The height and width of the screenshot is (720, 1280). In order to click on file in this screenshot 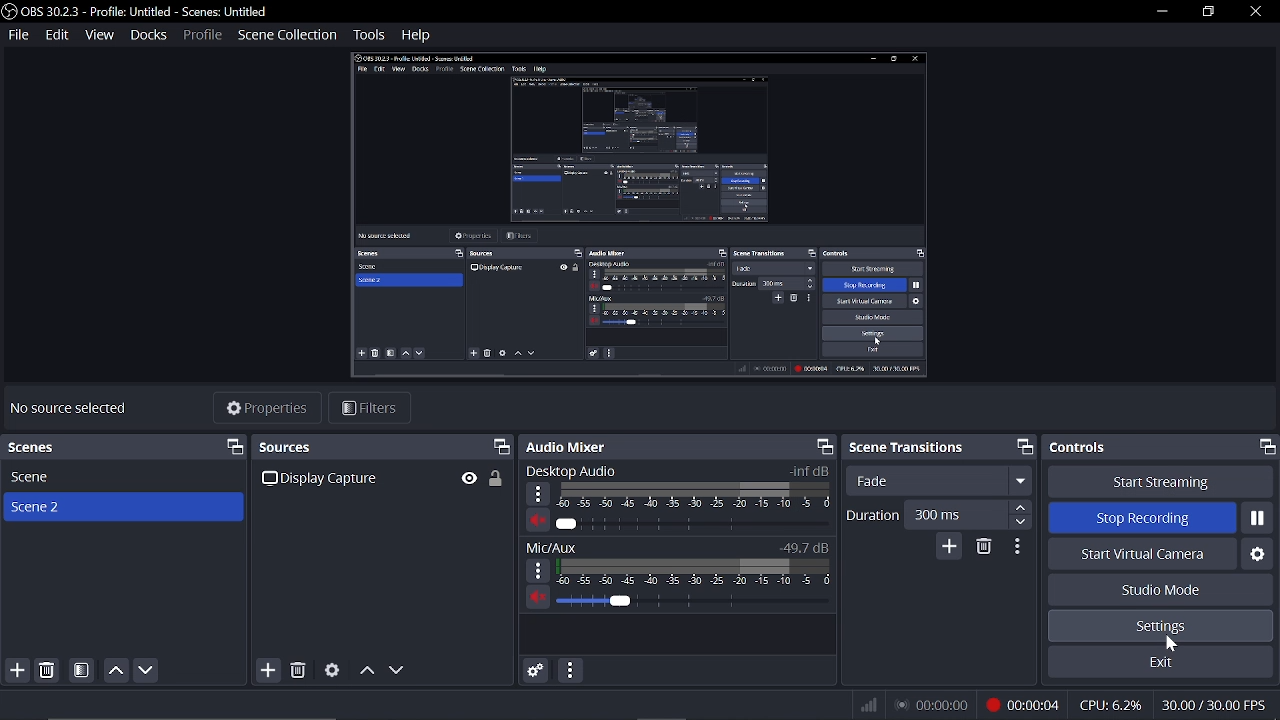, I will do `click(18, 36)`.